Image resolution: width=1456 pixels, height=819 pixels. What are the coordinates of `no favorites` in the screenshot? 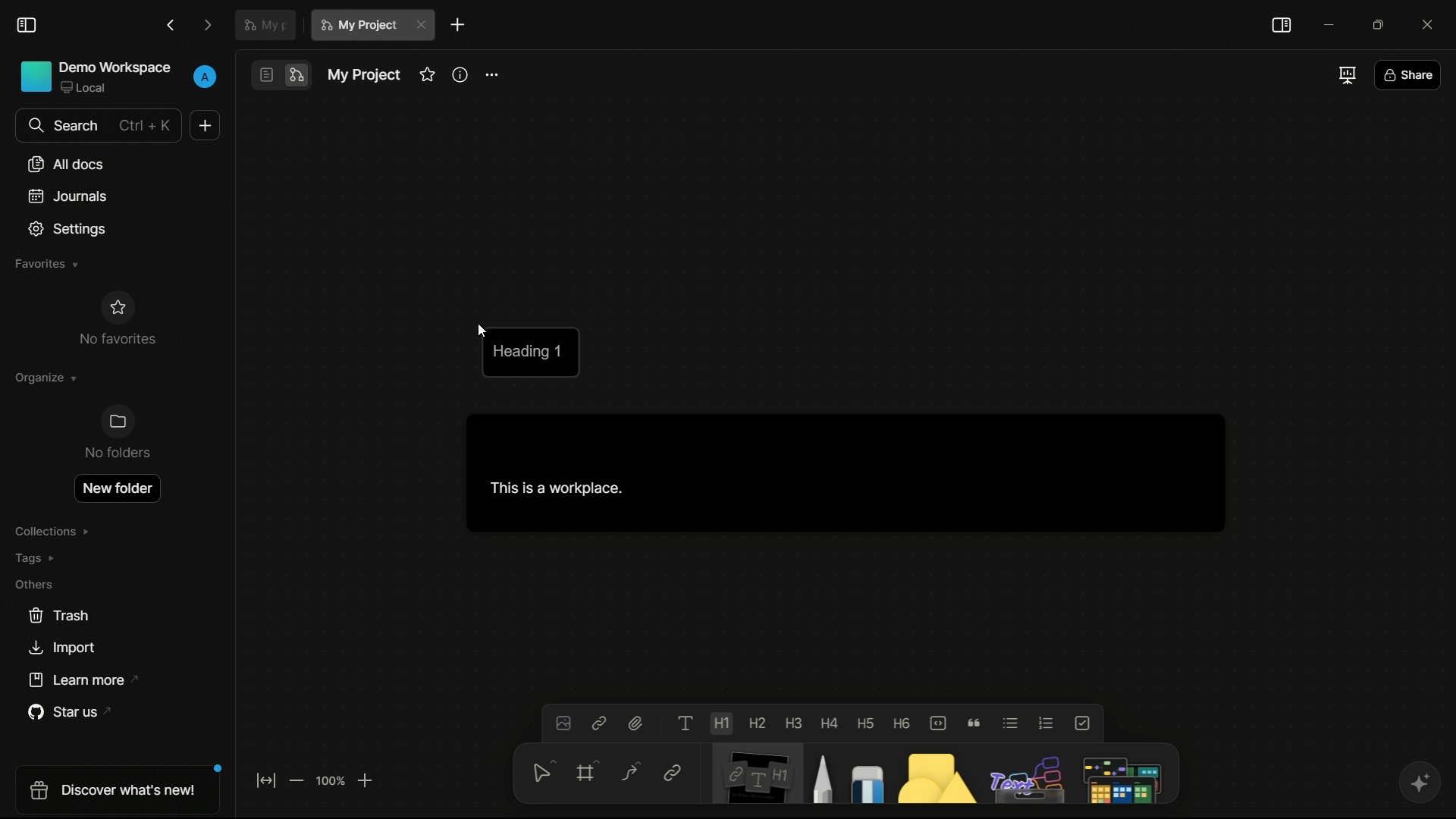 It's located at (117, 319).